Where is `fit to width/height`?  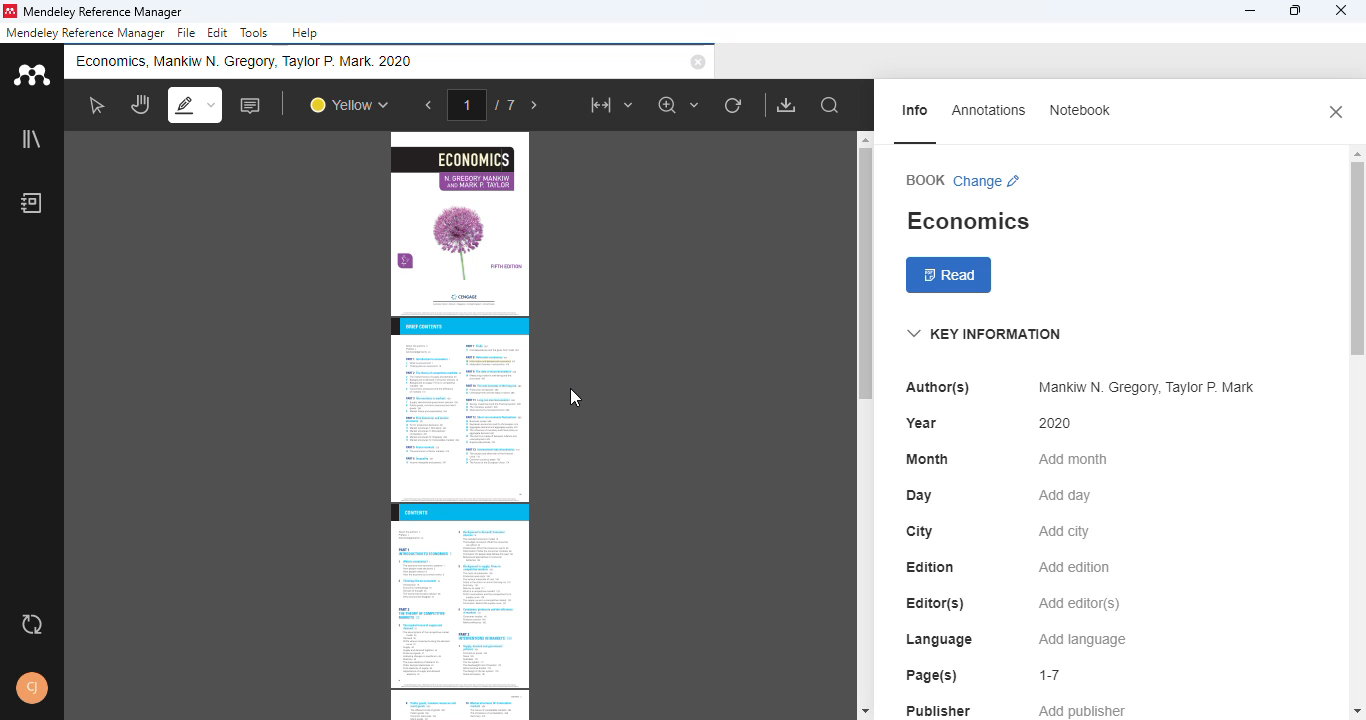
fit to width/height is located at coordinates (610, 105).